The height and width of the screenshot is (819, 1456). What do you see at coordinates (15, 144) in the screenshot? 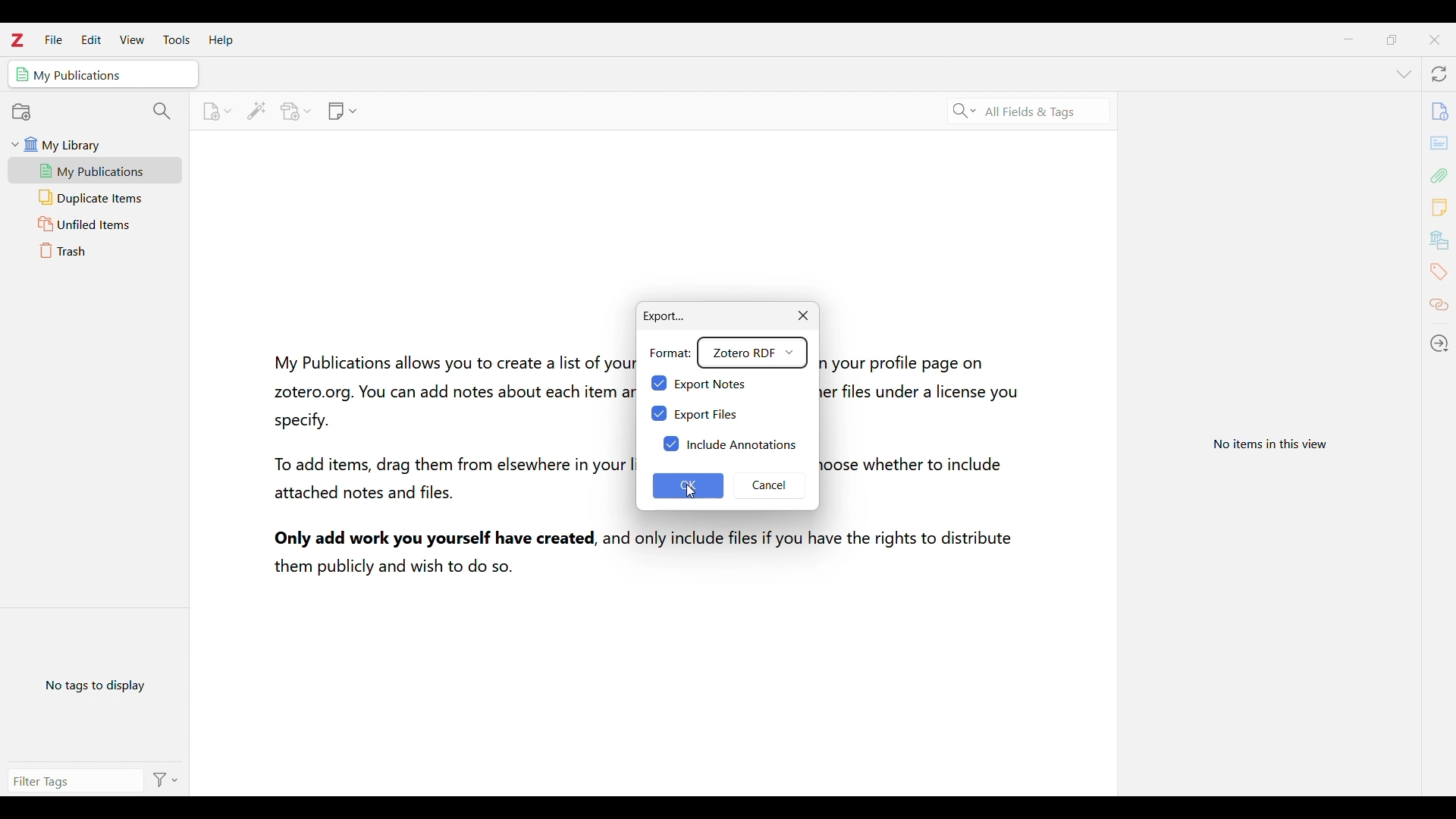
I see `Collapse My Library` at bounding box center [15, 144].